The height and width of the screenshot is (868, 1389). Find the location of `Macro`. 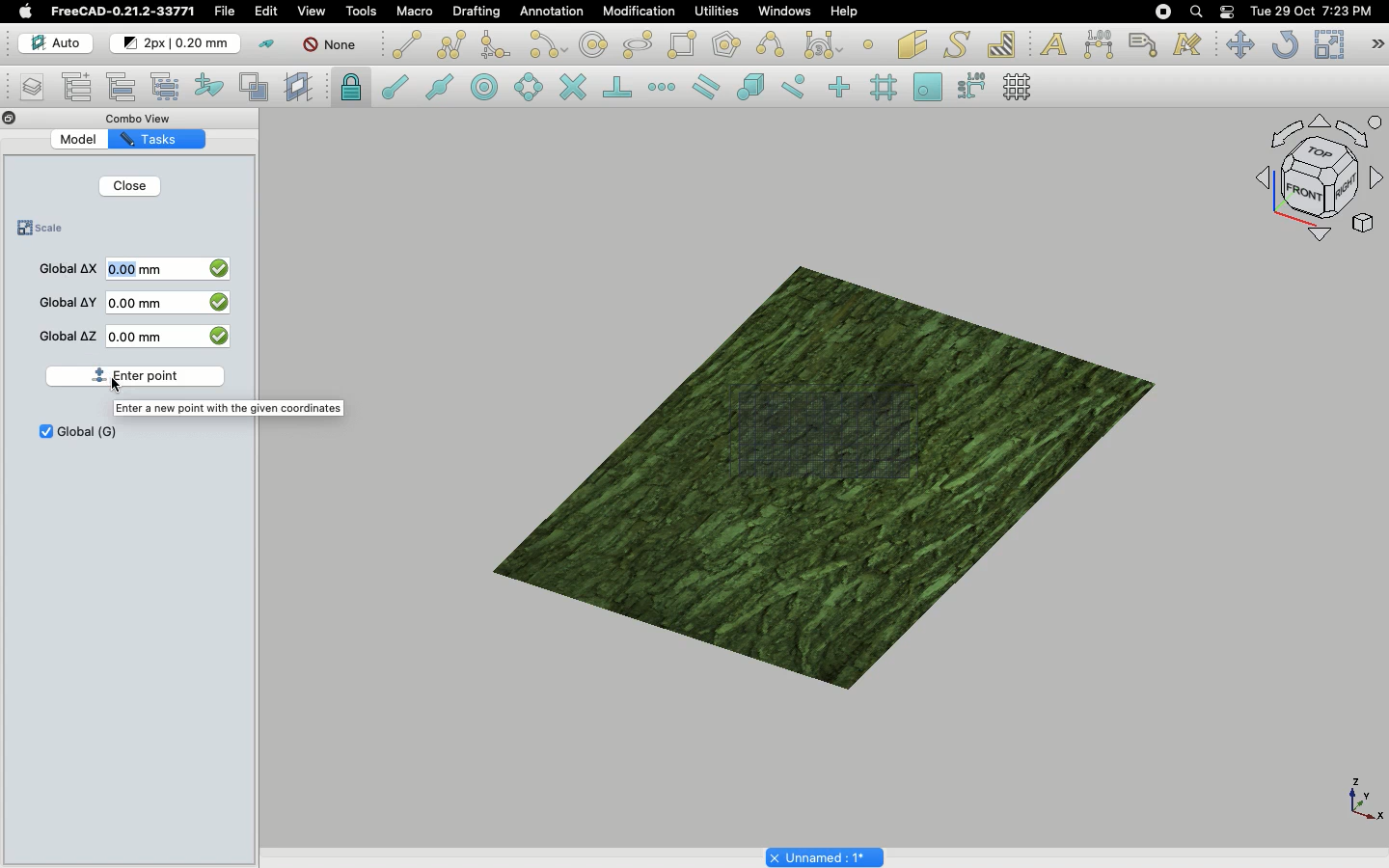

Macro is located at coordinates (416, 12).